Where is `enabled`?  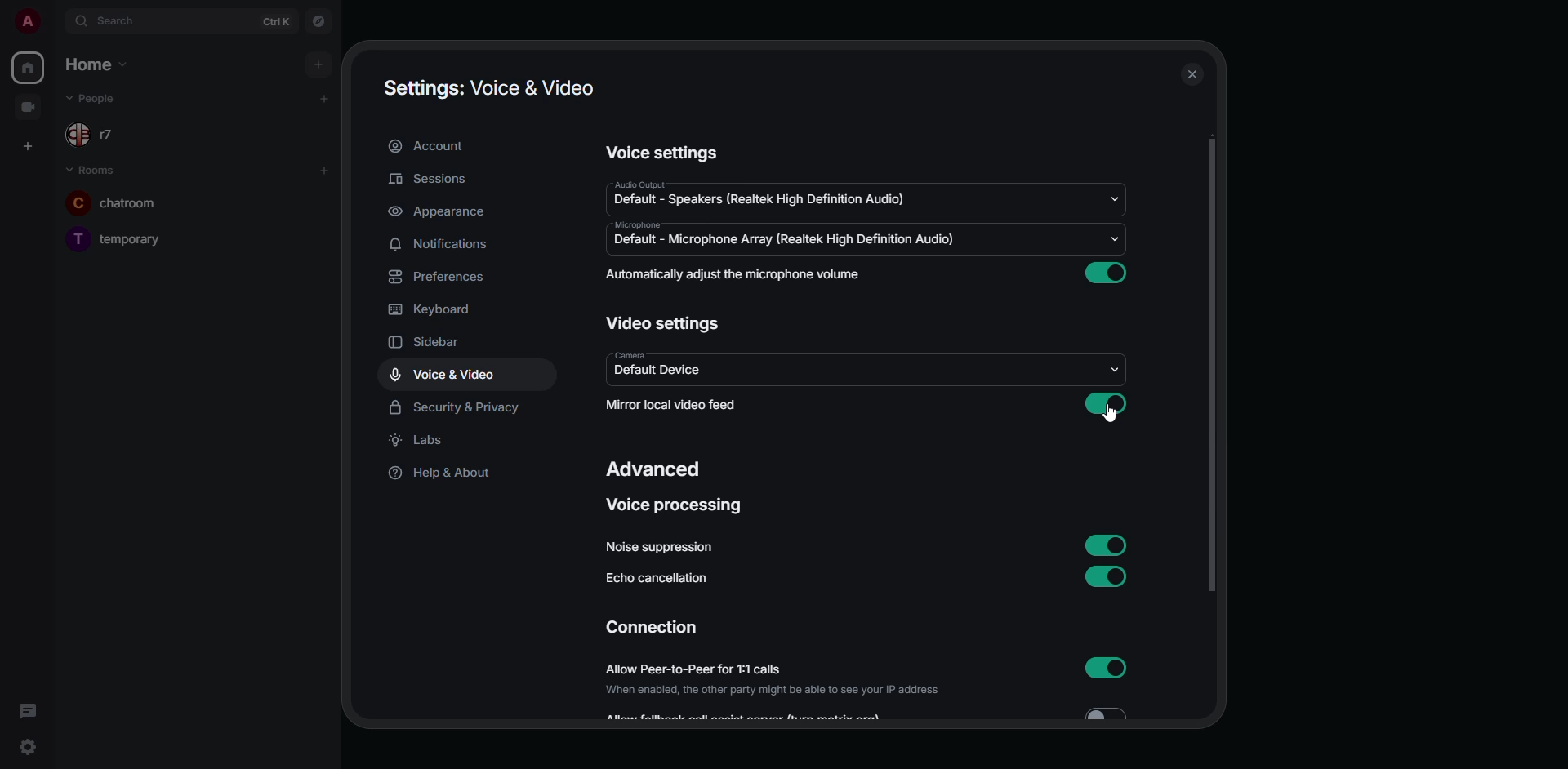
enabled is located at coordinates (1108, 274).